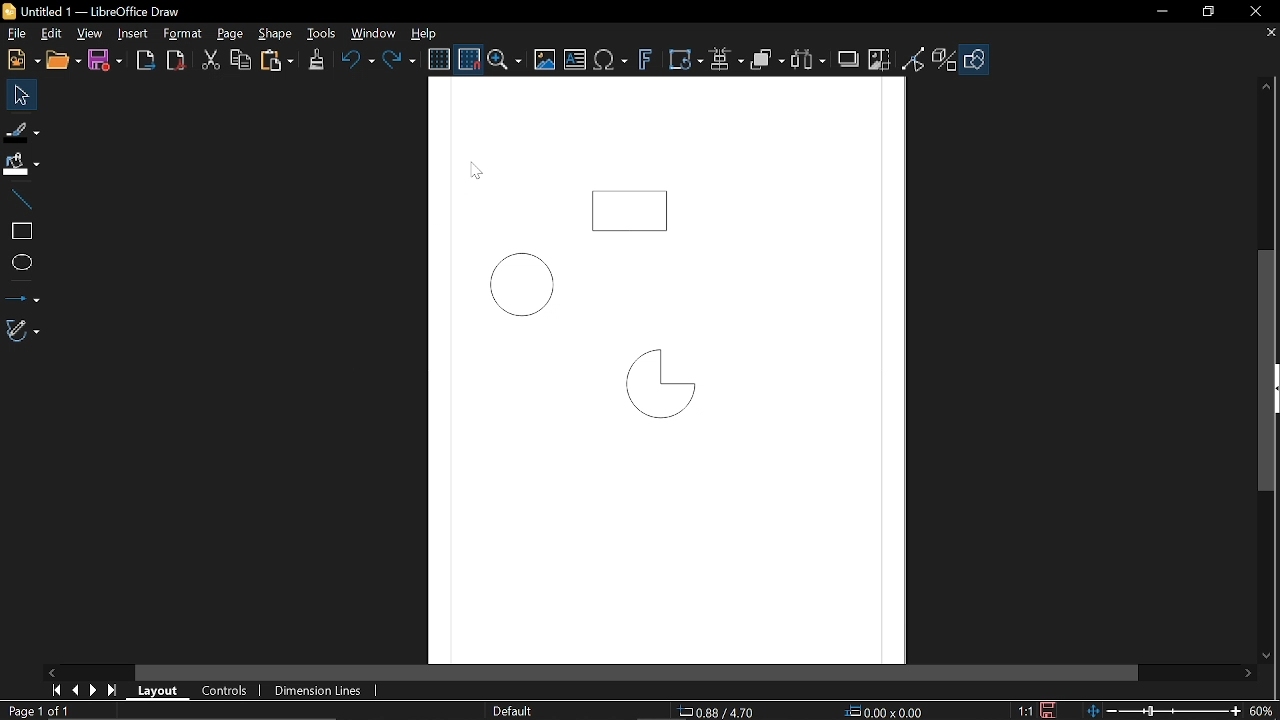 The image size is (1280, 720). Describe the element at coordinates (1269, 656) in the screenshot. I see `Move down` at that location.